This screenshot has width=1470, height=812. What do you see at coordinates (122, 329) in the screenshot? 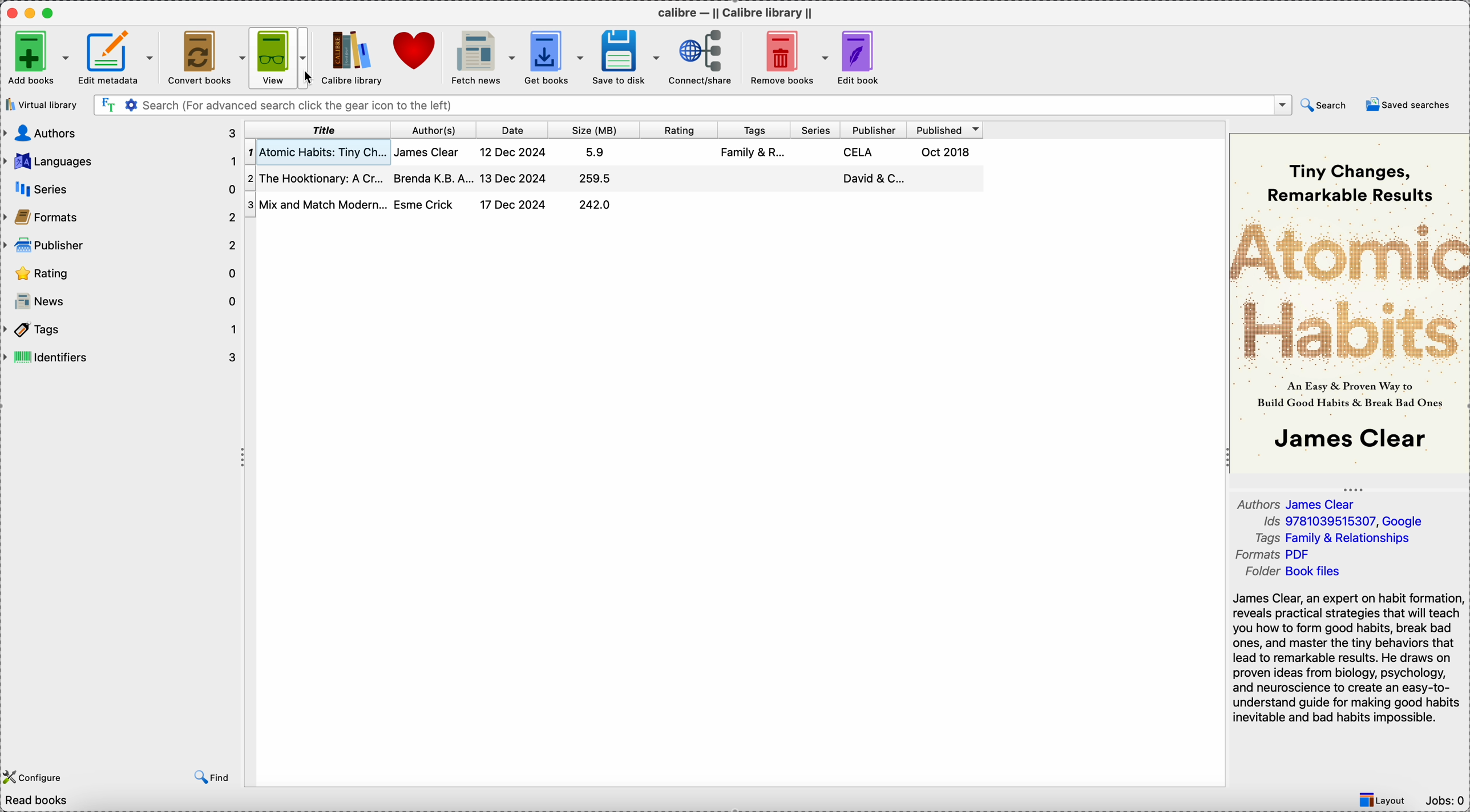
I see `tags` at bounding box center [122, 329].